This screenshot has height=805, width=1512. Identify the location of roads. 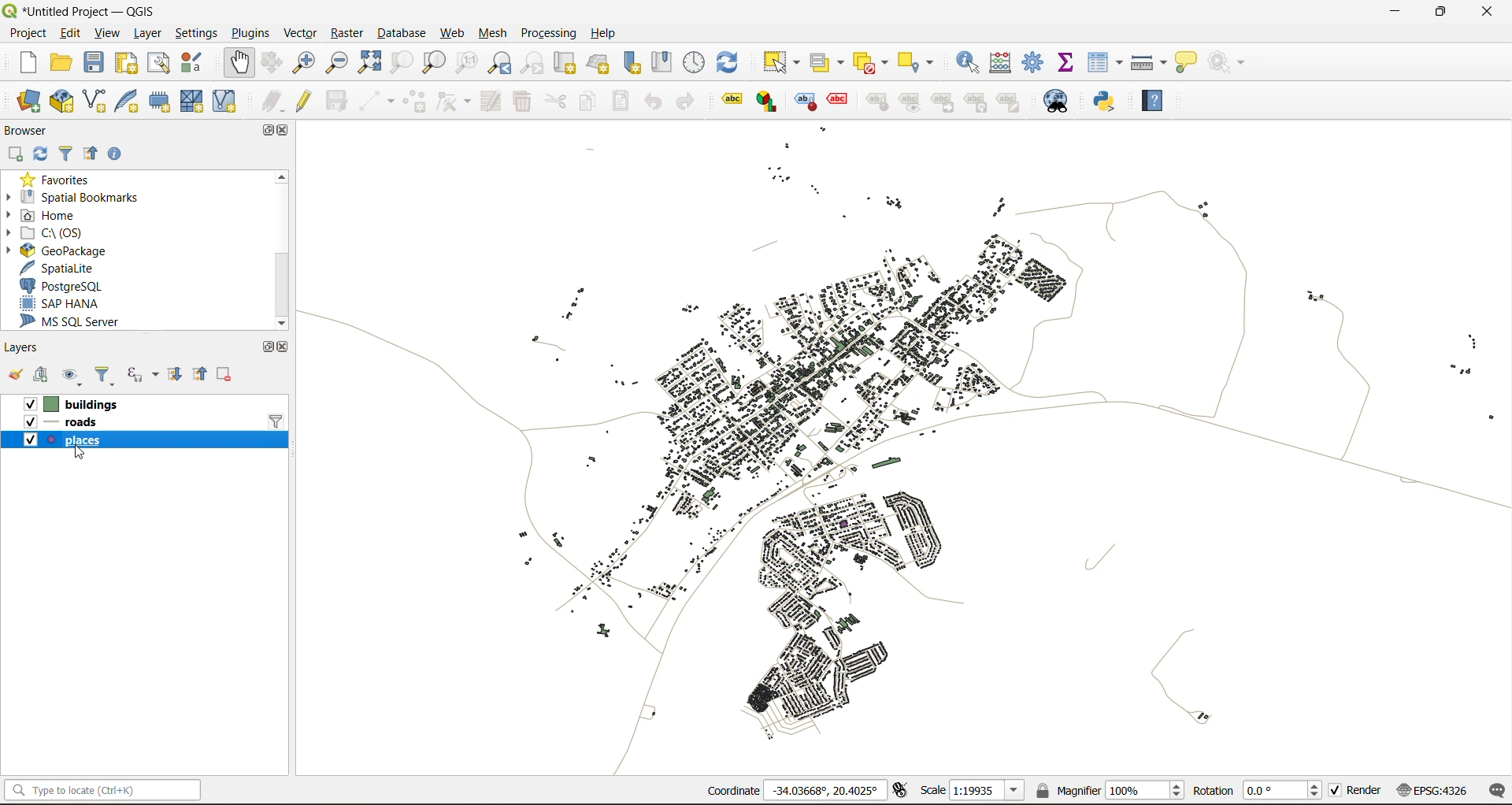
(82, 424).